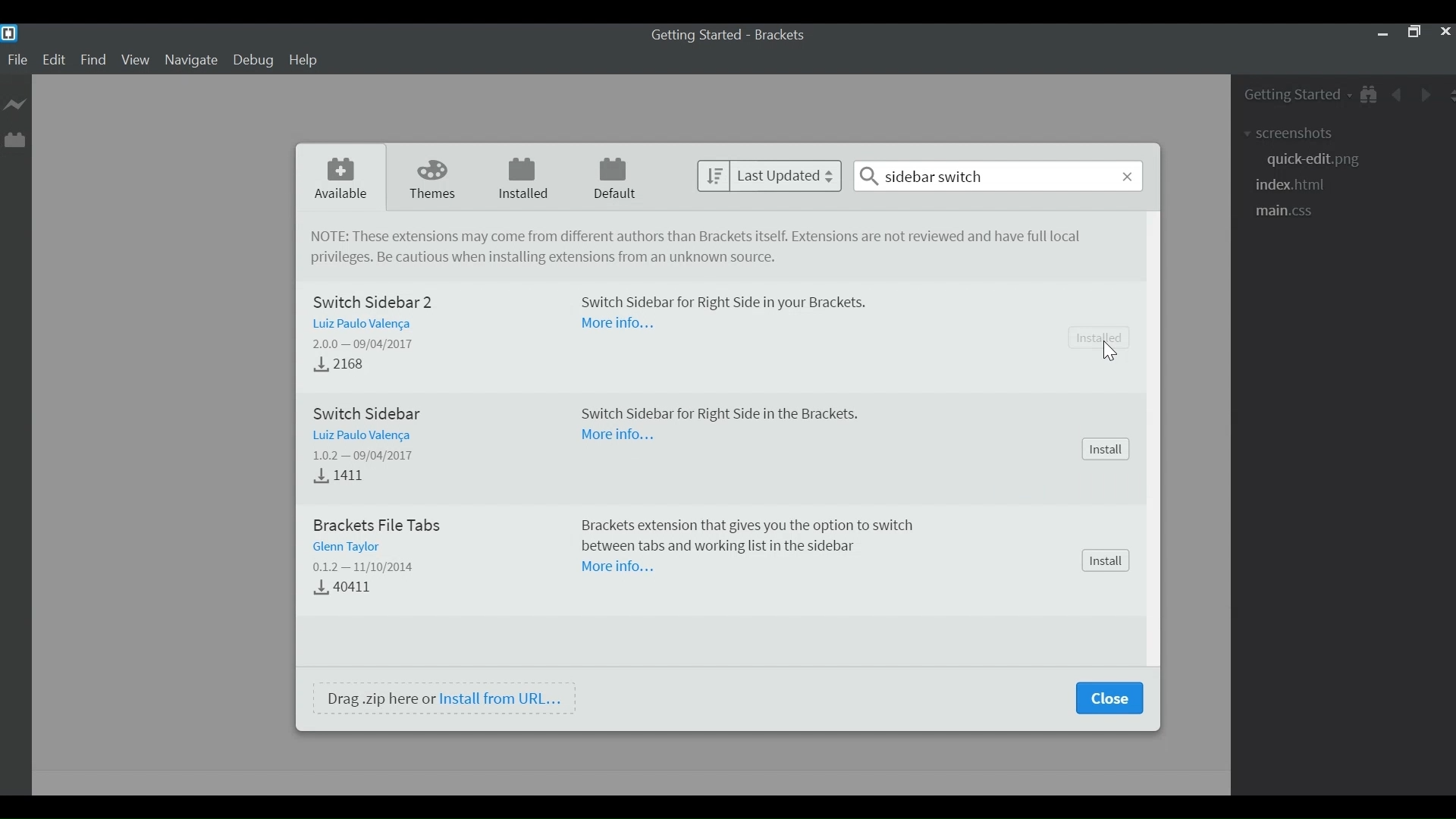 Image resolution: width=1456 pixels, height=819 pixels. What do you see at coordinates (353, 547) in the screenshot?
I see `Glenn Taylor` at bounding box center [353, 547].